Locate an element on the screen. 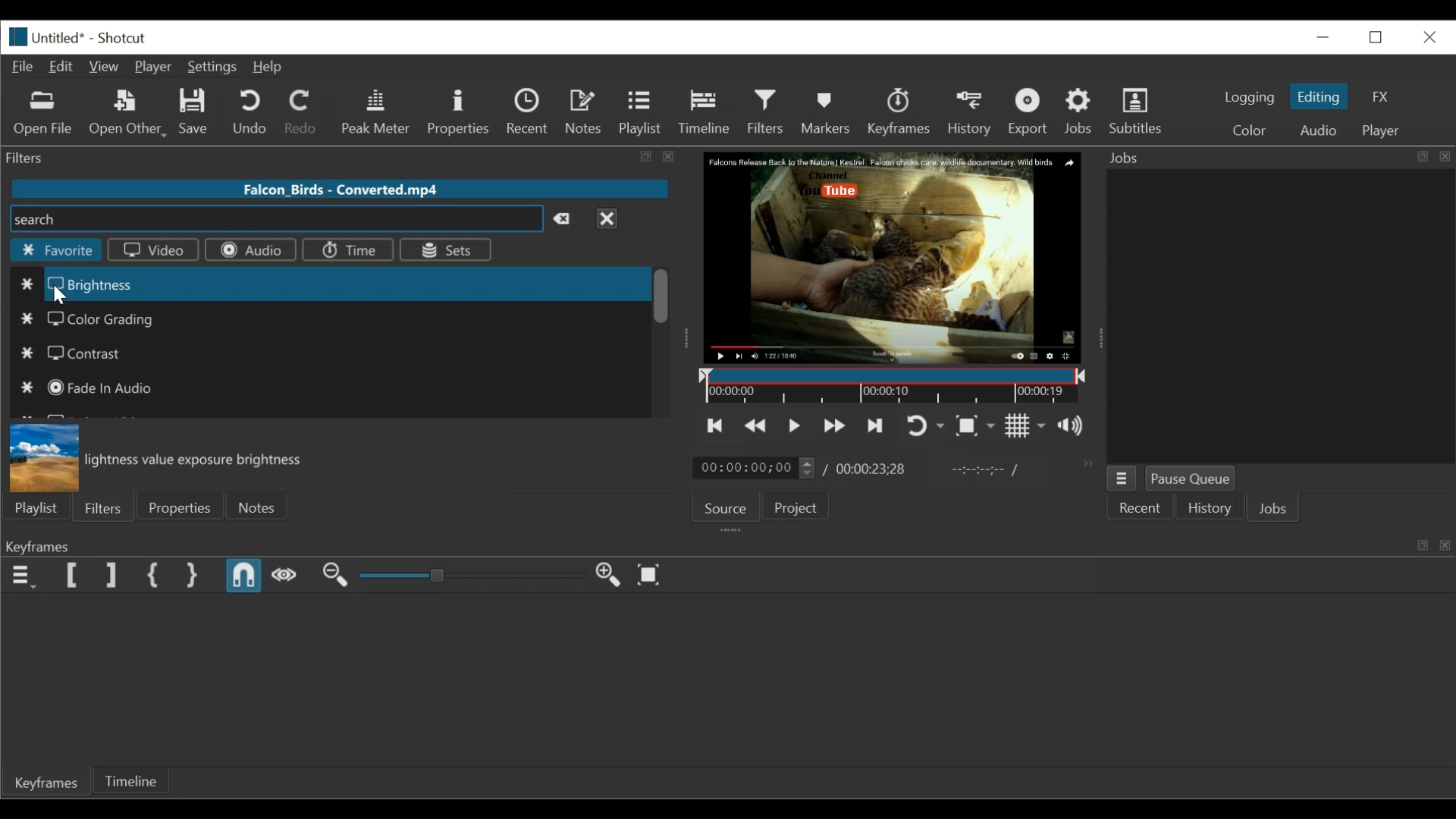 This screenshot has width=1456, height=819. Keyframe menu is located at coordinates (23, 576).